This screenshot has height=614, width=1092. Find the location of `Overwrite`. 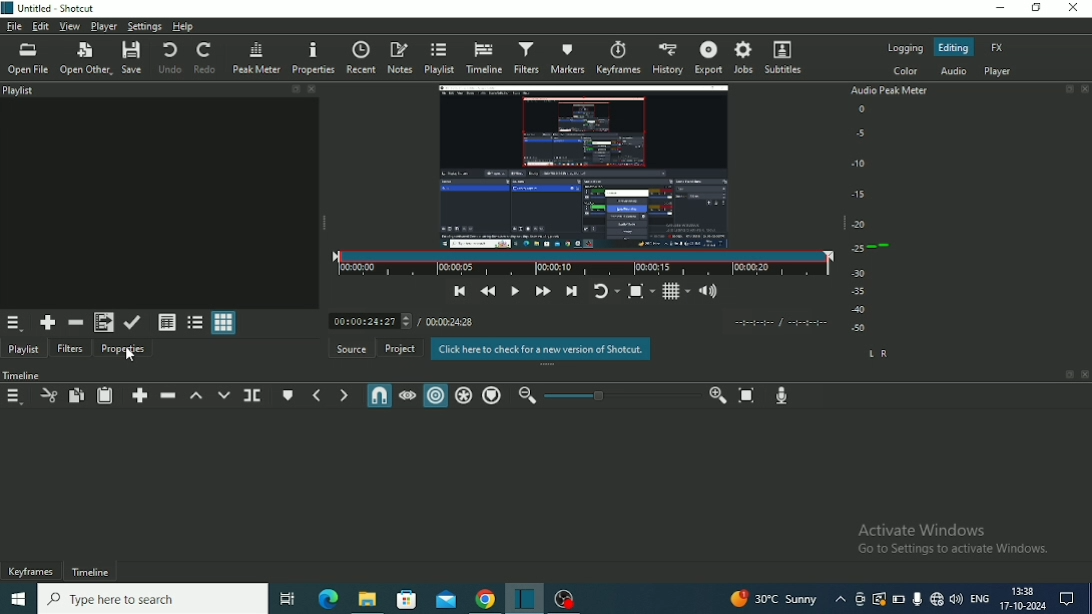

Overwrite is located at coordinates (224, 395).